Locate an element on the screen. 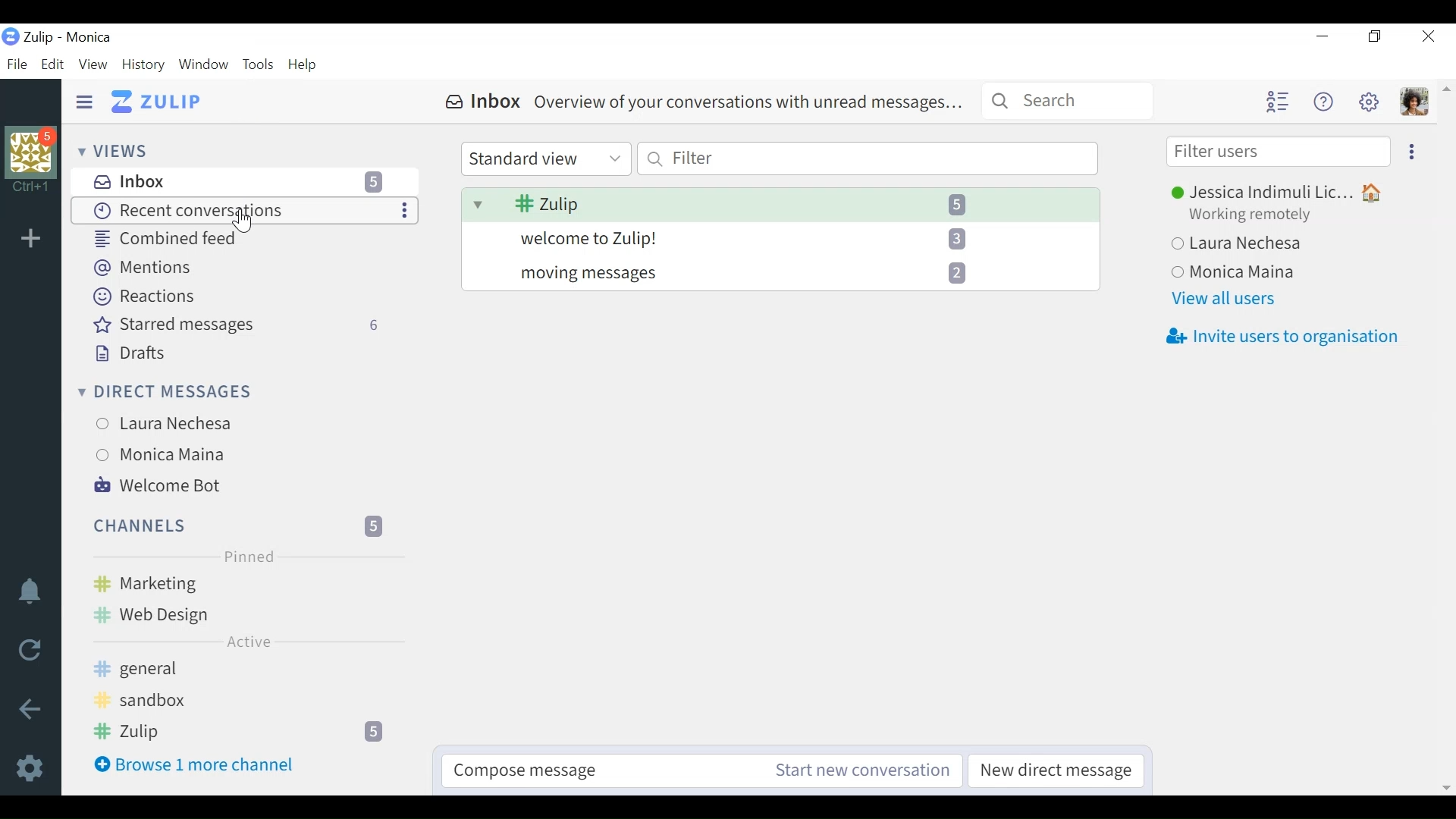 Image resolution: width=1456 pixels, height=819 pixels. Zulip is located at coordinates (234, 731).